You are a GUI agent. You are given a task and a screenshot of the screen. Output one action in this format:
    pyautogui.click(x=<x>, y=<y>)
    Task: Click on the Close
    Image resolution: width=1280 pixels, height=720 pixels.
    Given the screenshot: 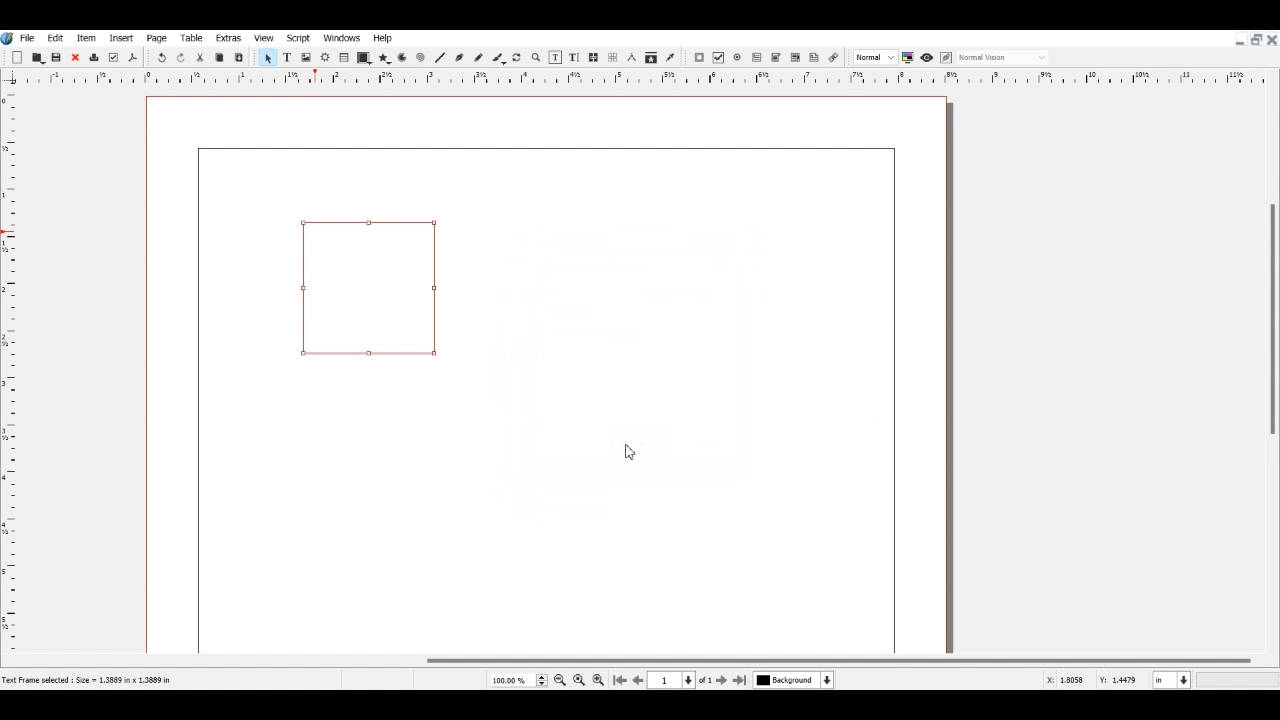 What is the action you would take?
    pyautogui.click(x=1272, y=39)
    